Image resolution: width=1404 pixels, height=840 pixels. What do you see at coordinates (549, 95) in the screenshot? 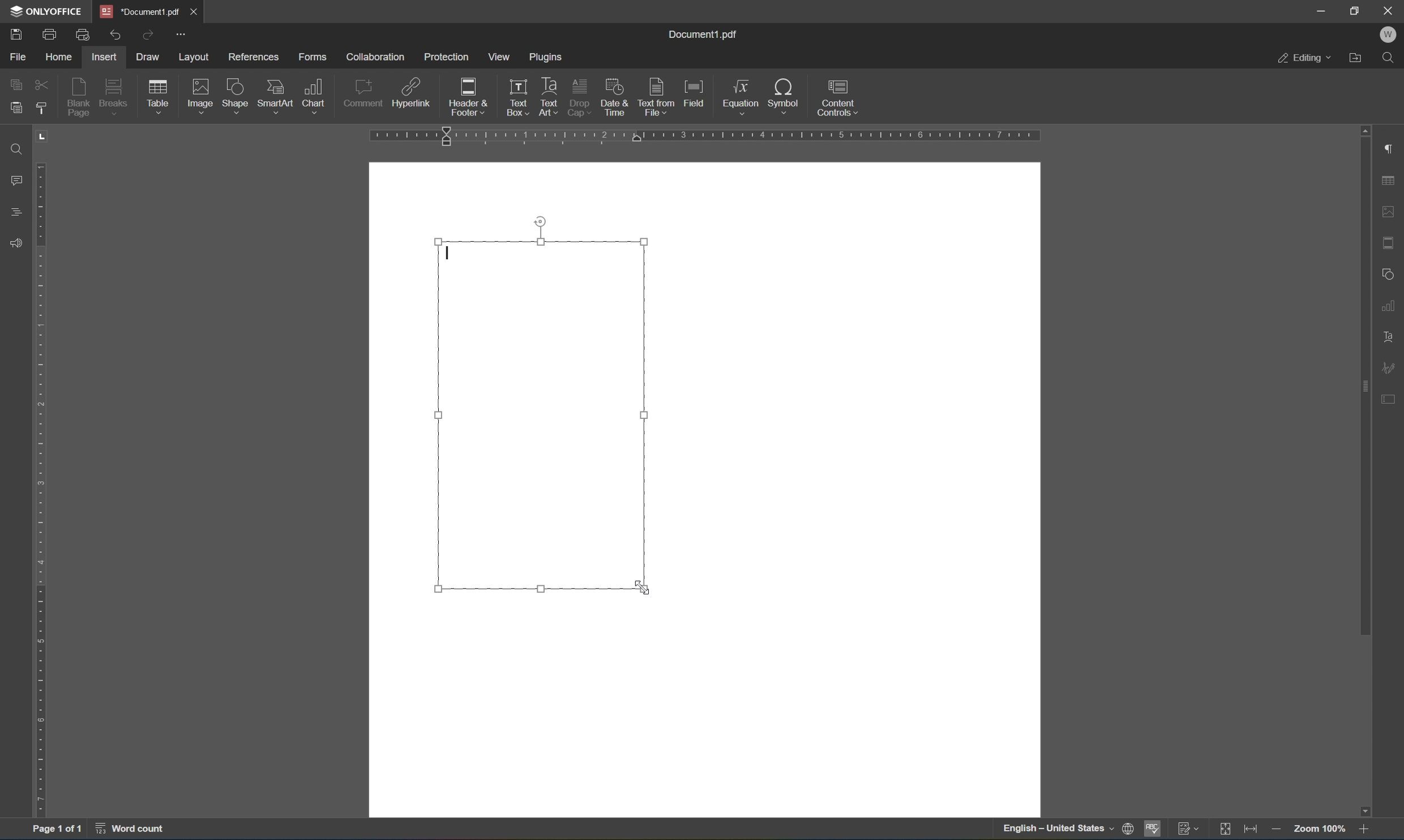
I see `text art` at bounding box center [549, 95].